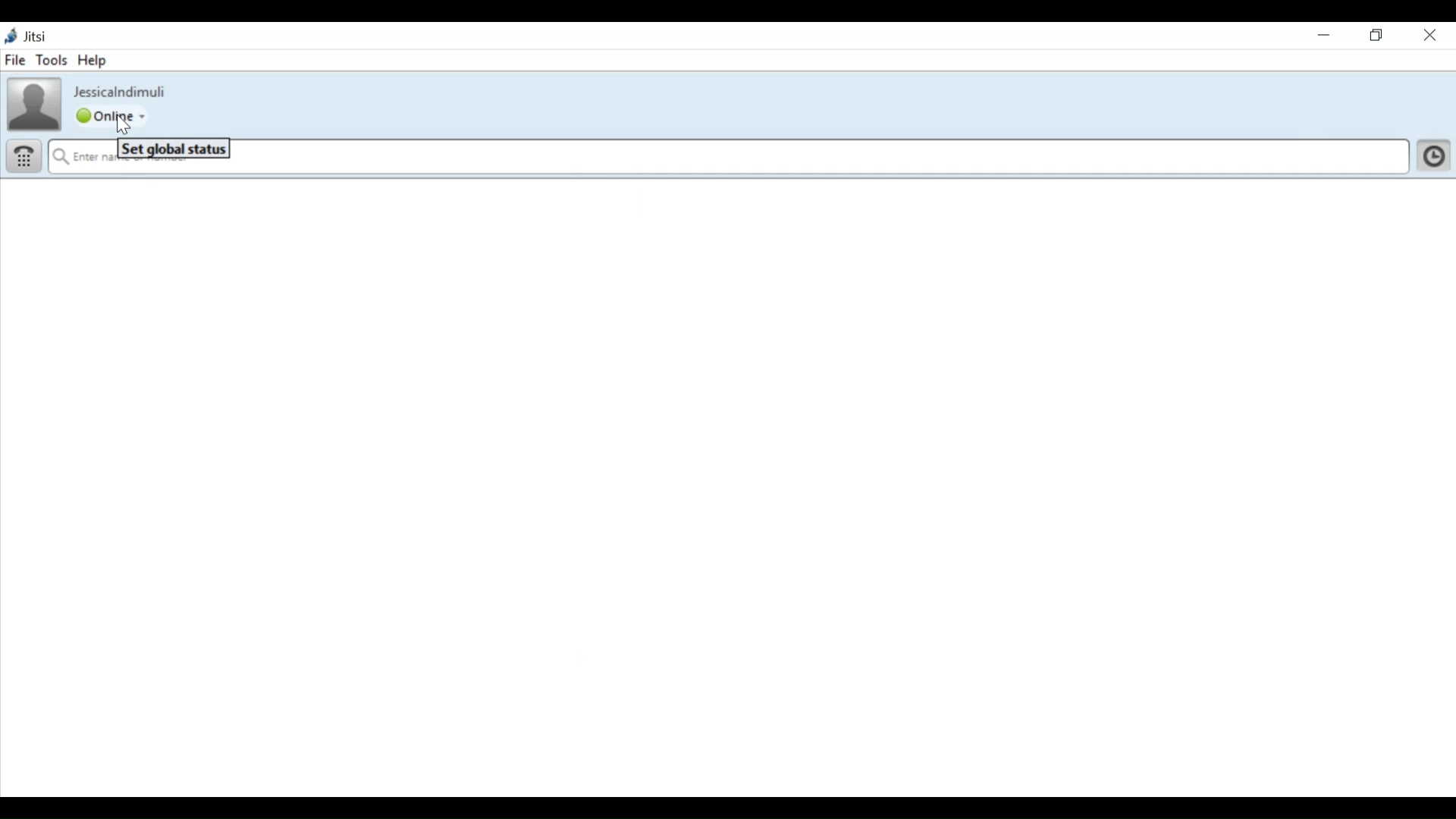  What do you see at coordinates (25, 155) in the screenshot?
I see `Dial pad` at bounding box center [25, 155].